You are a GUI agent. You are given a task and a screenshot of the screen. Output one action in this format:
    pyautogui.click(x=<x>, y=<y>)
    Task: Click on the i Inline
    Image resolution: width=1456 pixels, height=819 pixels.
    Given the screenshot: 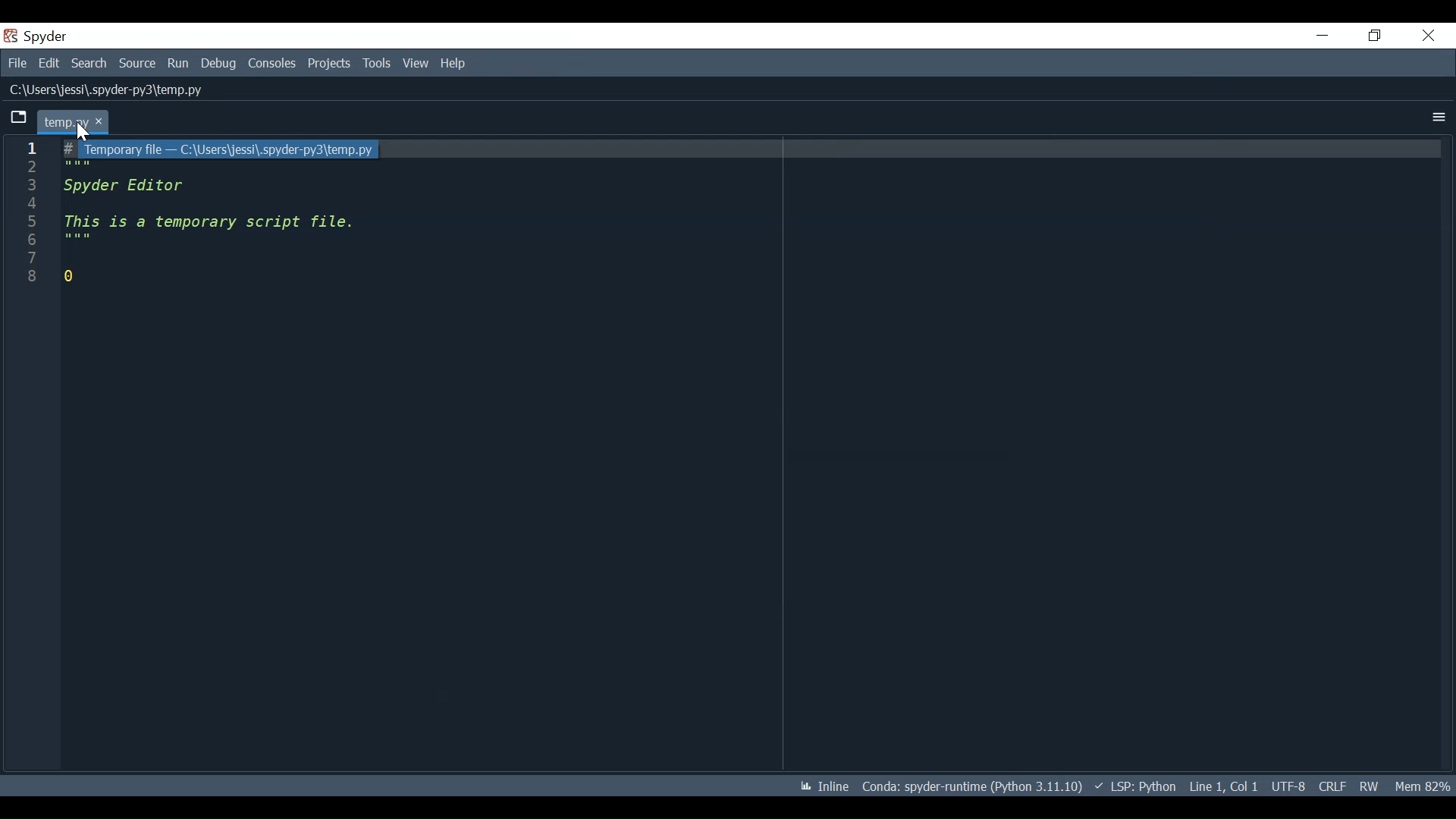 What is the action you would take?
    pyautogui.click(x=819, y=789)
    